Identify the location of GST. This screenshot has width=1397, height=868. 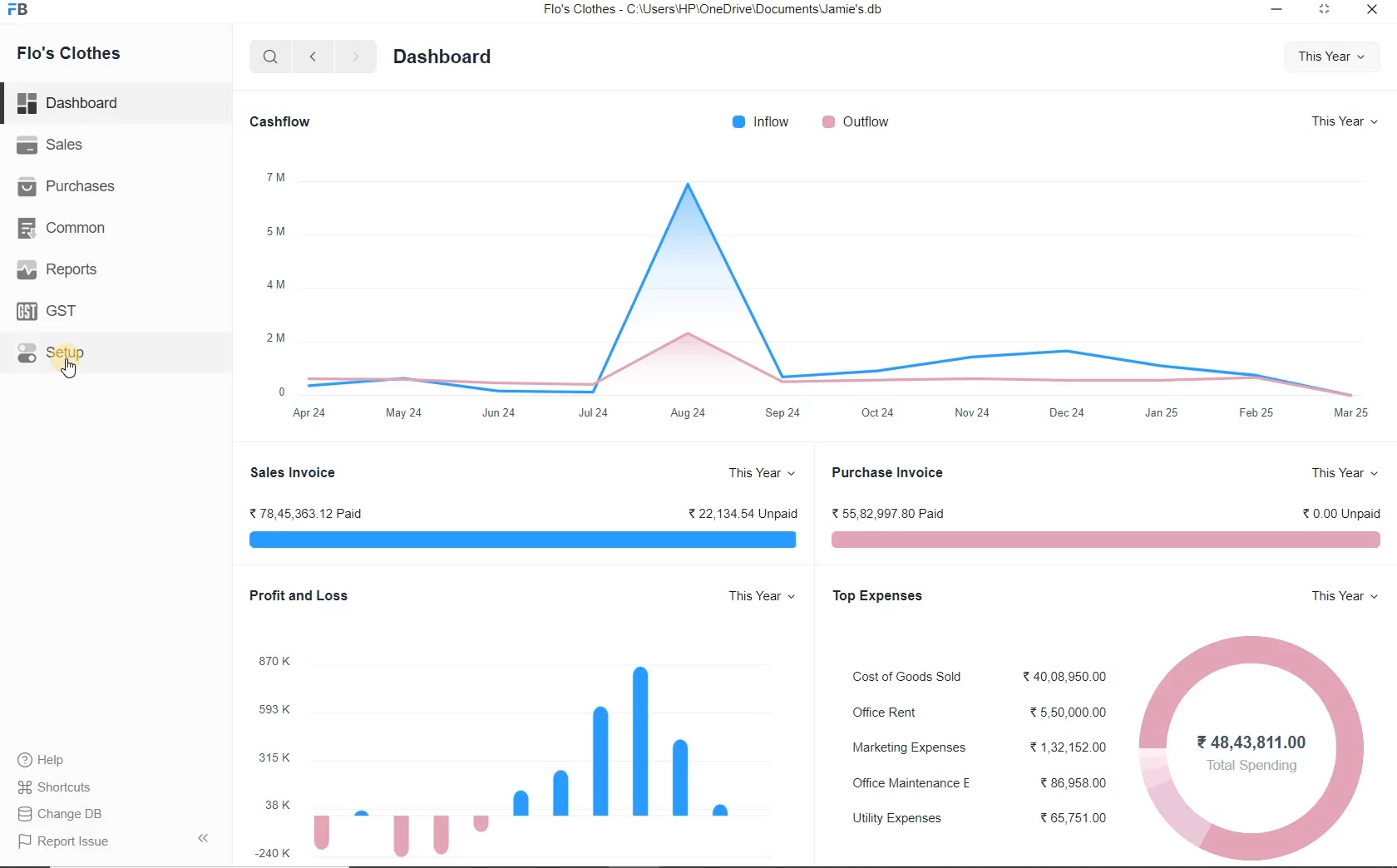
(116, 308).